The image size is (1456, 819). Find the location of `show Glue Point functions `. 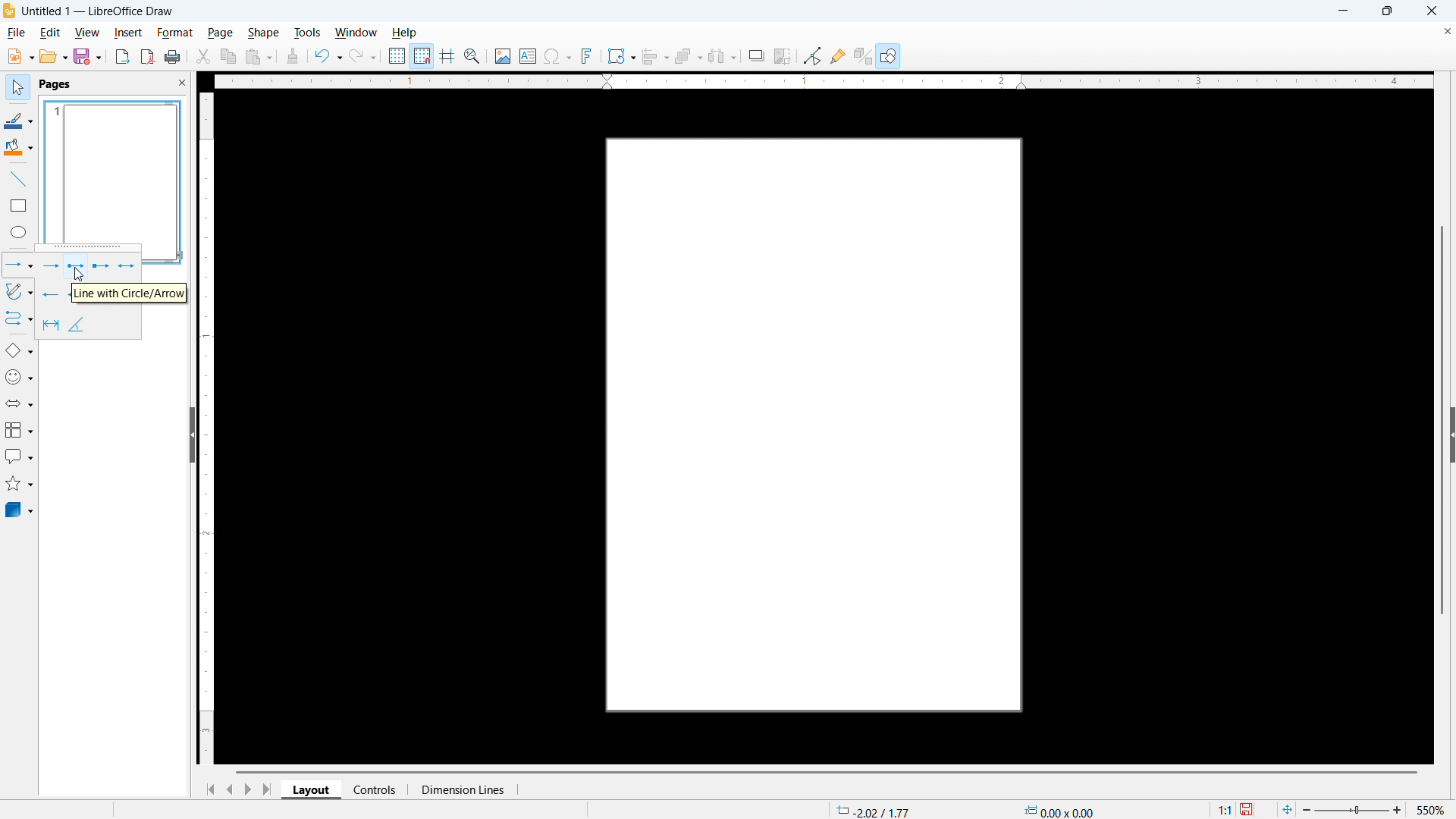

show Glue Point functions  is located at coordinates (837, 55).